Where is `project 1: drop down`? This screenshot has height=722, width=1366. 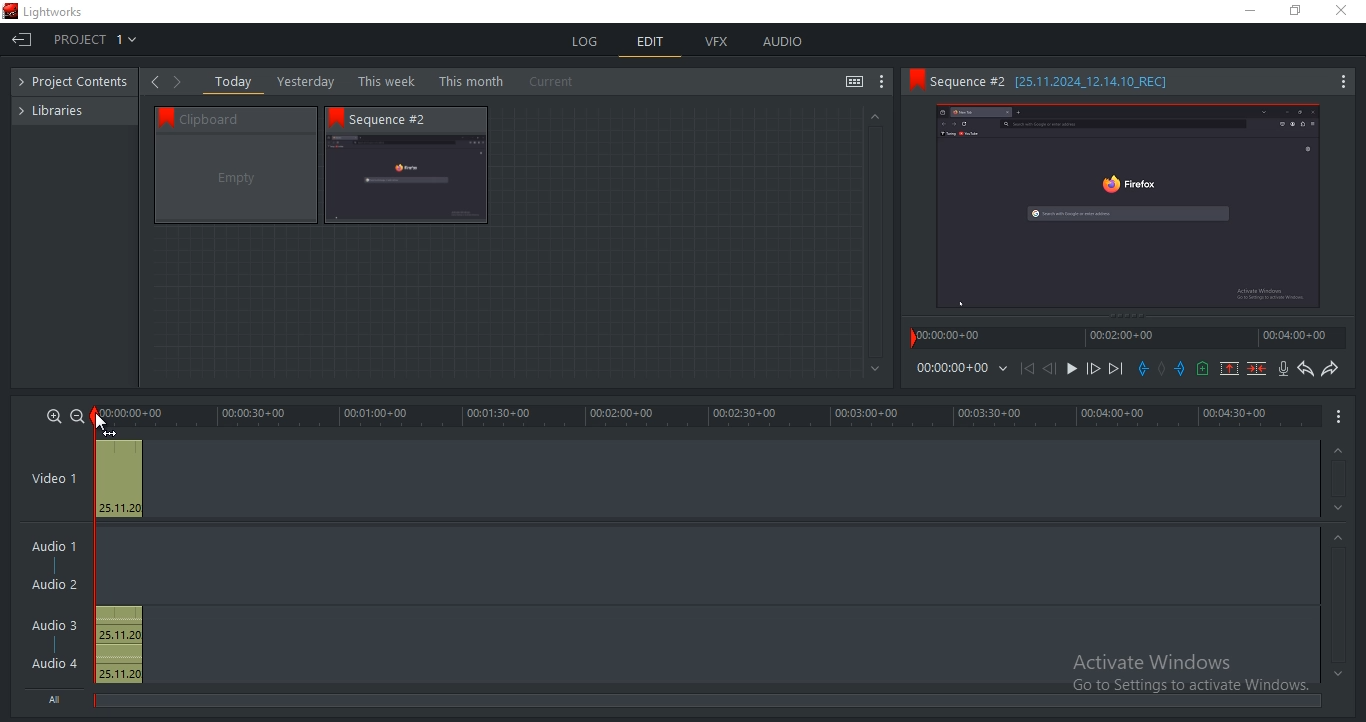
project 1: drop down is located at coordinates (91, 39).